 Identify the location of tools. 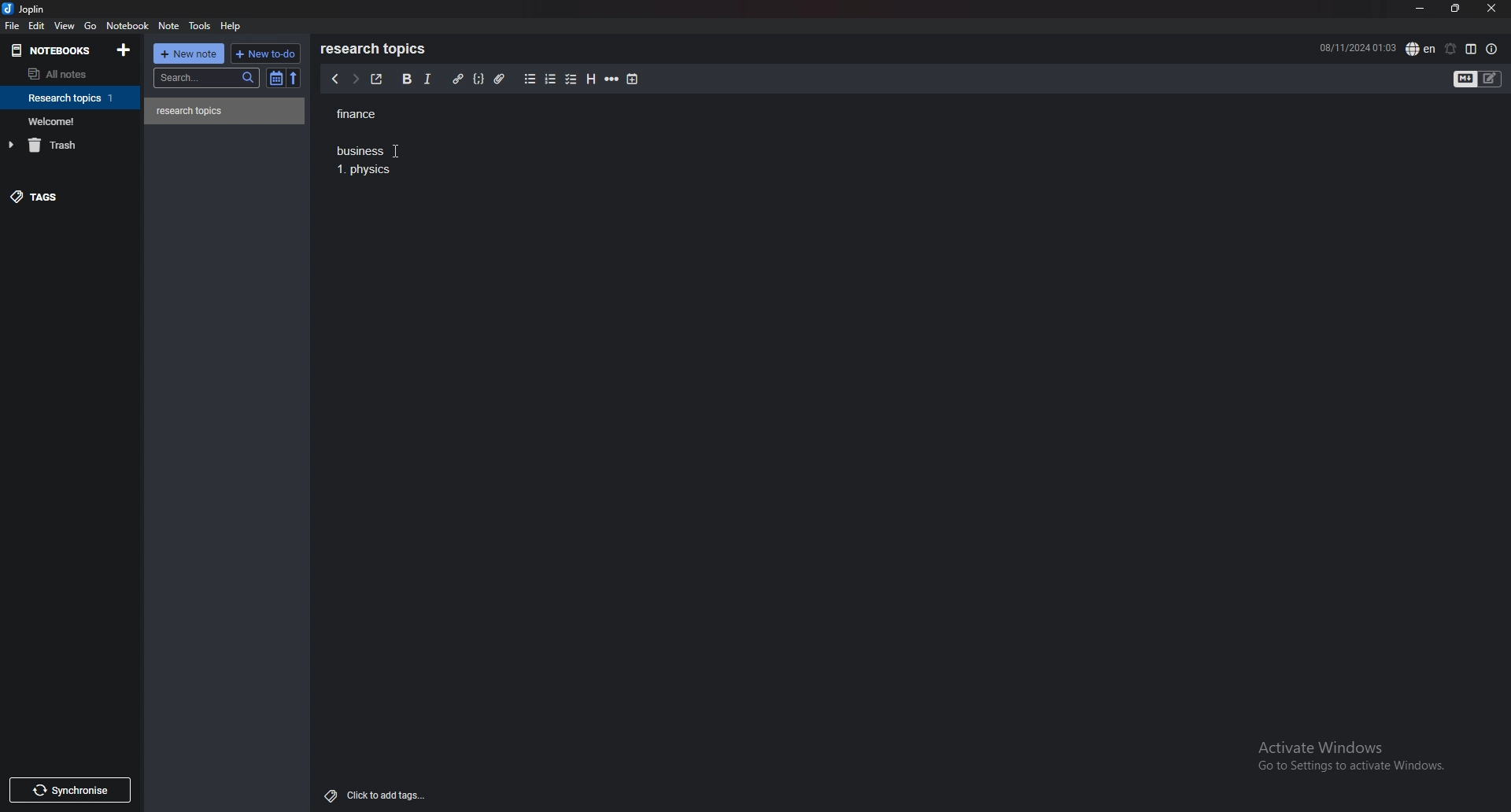
(200, 26).